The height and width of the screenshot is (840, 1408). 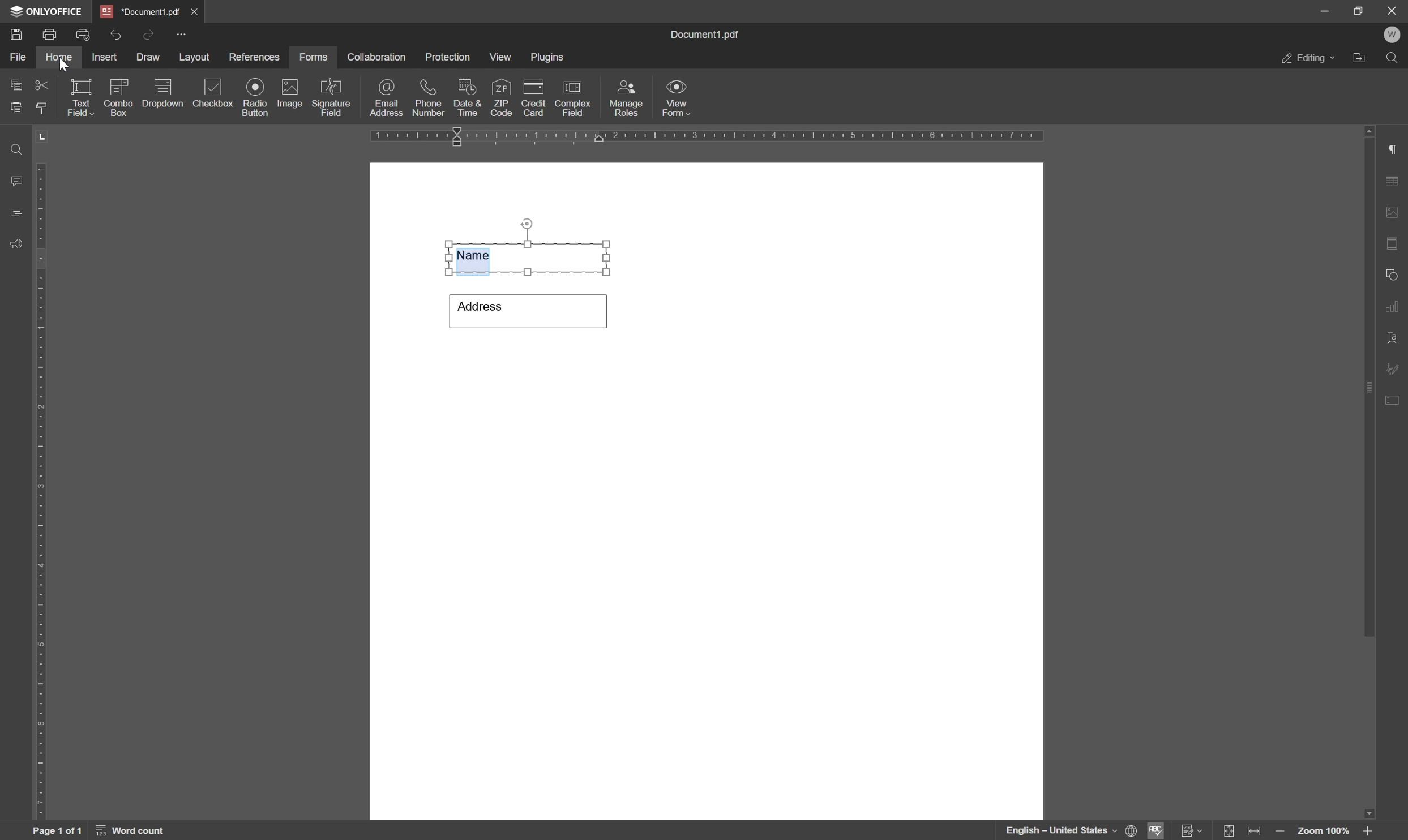 I want to click on text art settings, so click(x=1397, y=338).